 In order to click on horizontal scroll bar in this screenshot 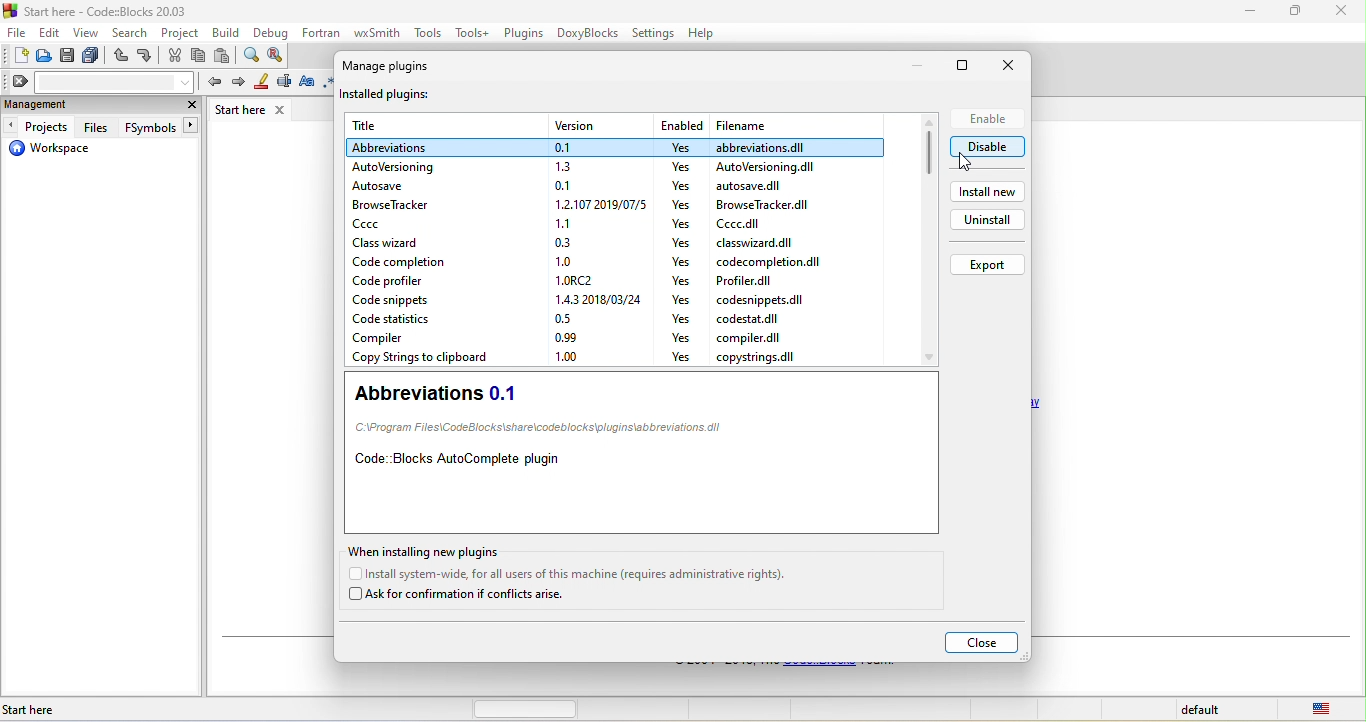, I will do `click(526, 709)`.